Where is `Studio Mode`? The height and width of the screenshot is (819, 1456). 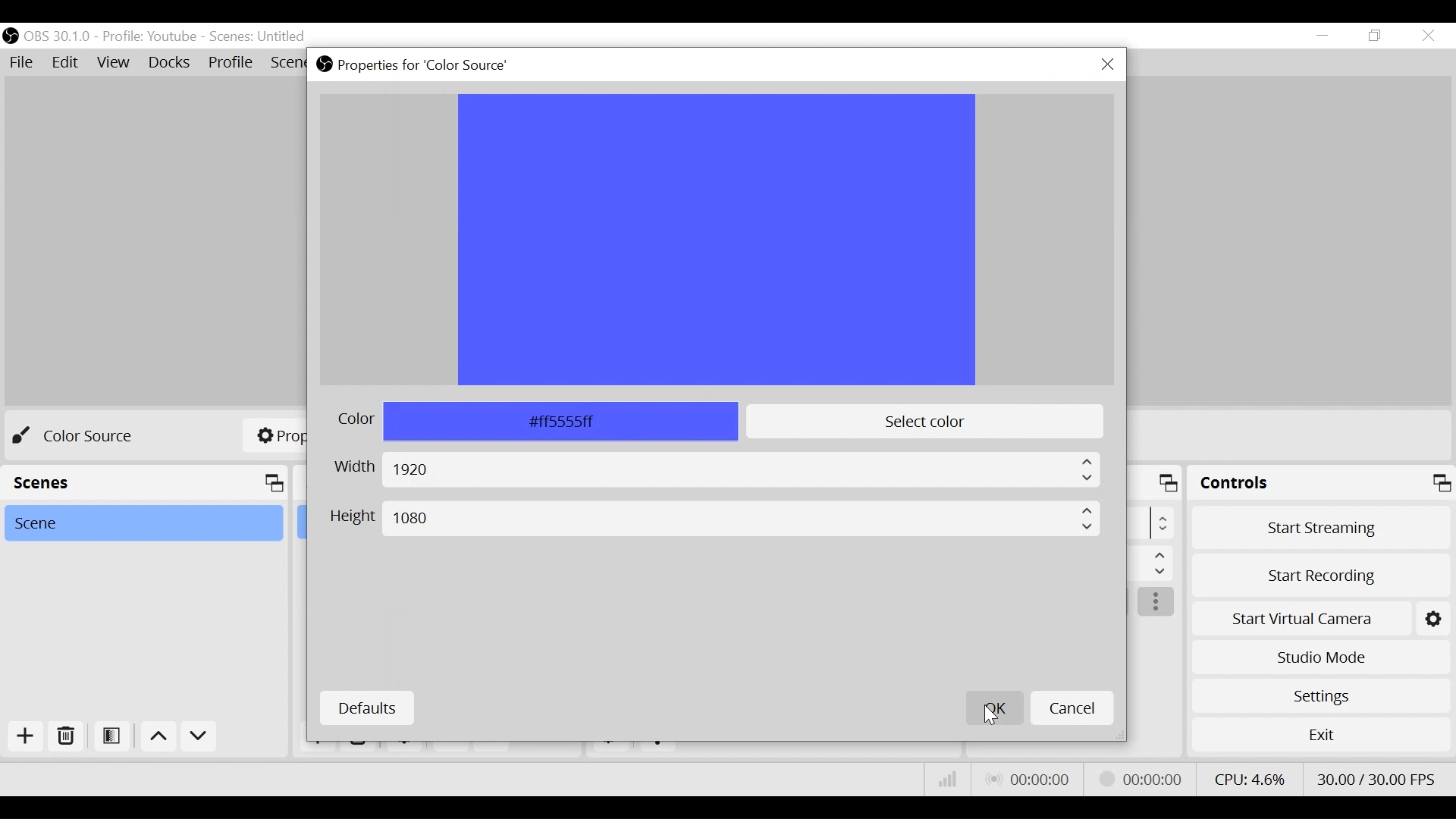
Studio Mode is located at coordinates (1320, 657).